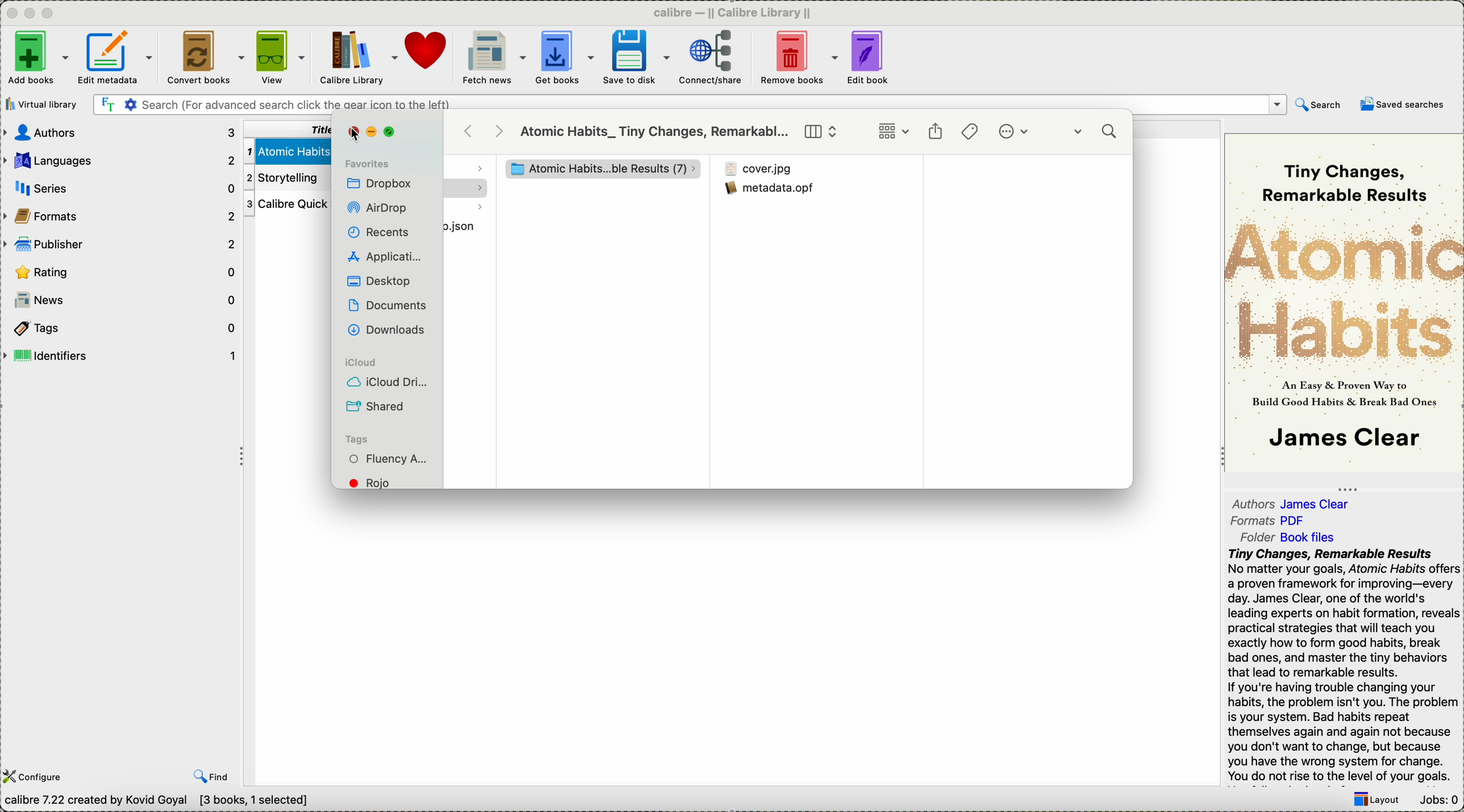  What do you see at coordinates (359, 59) in the screenshot?
I see `calibre library` at bounding box center [359, 59].